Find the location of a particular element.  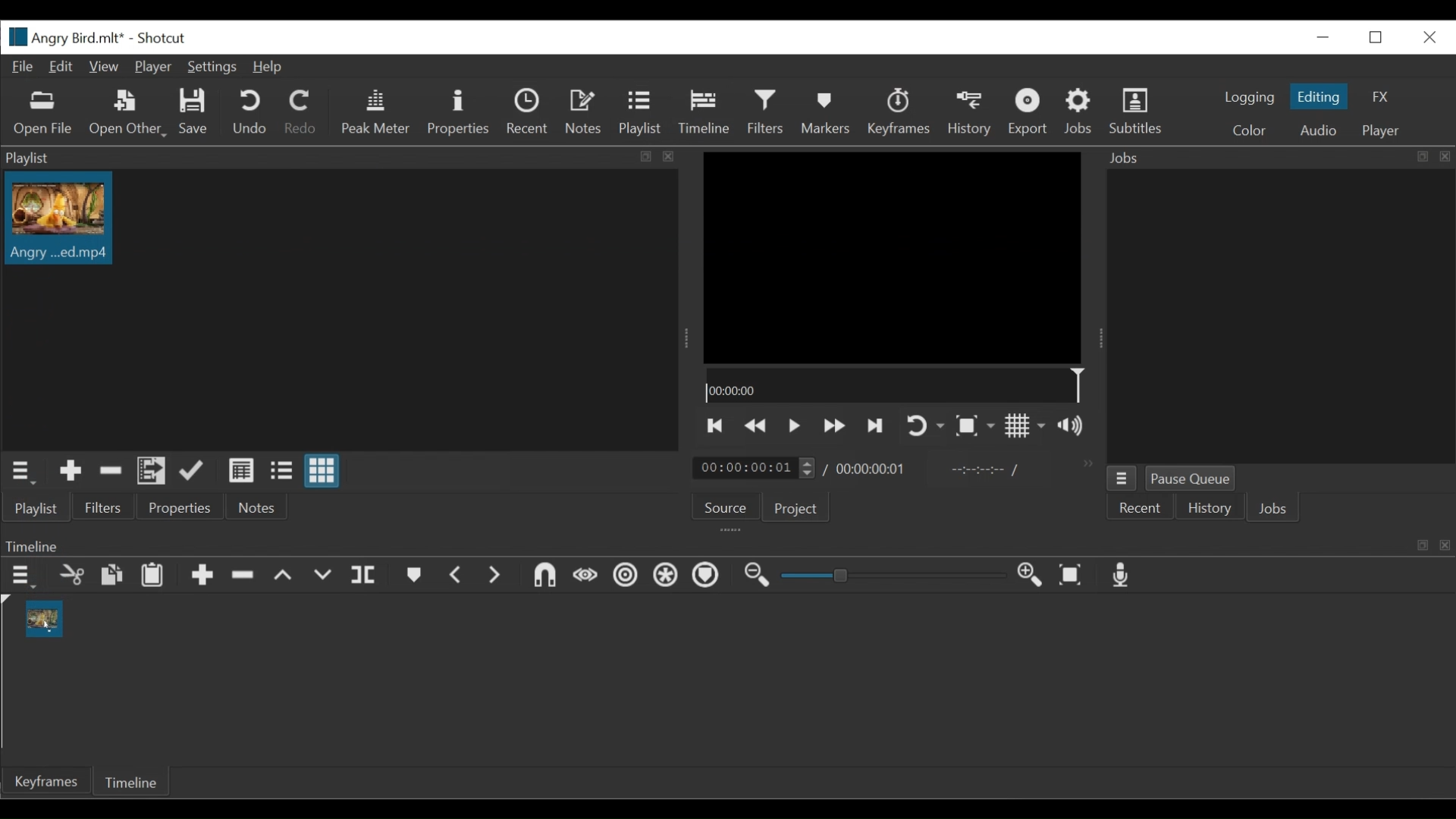

Notes is located at coordinates (254, 509).